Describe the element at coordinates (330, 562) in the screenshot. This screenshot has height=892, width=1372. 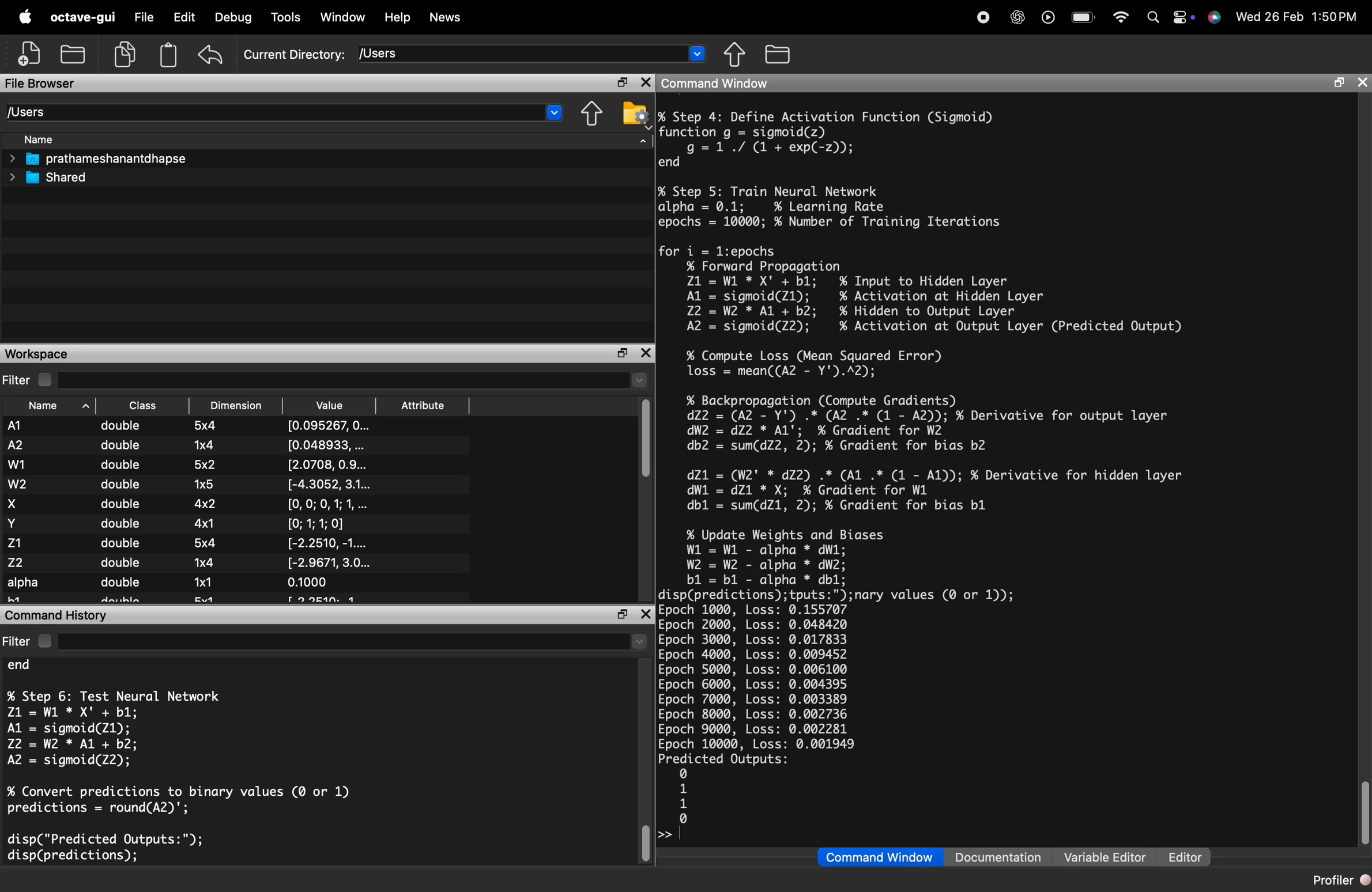
I see `[-2.9671, 3.0..` at that location.